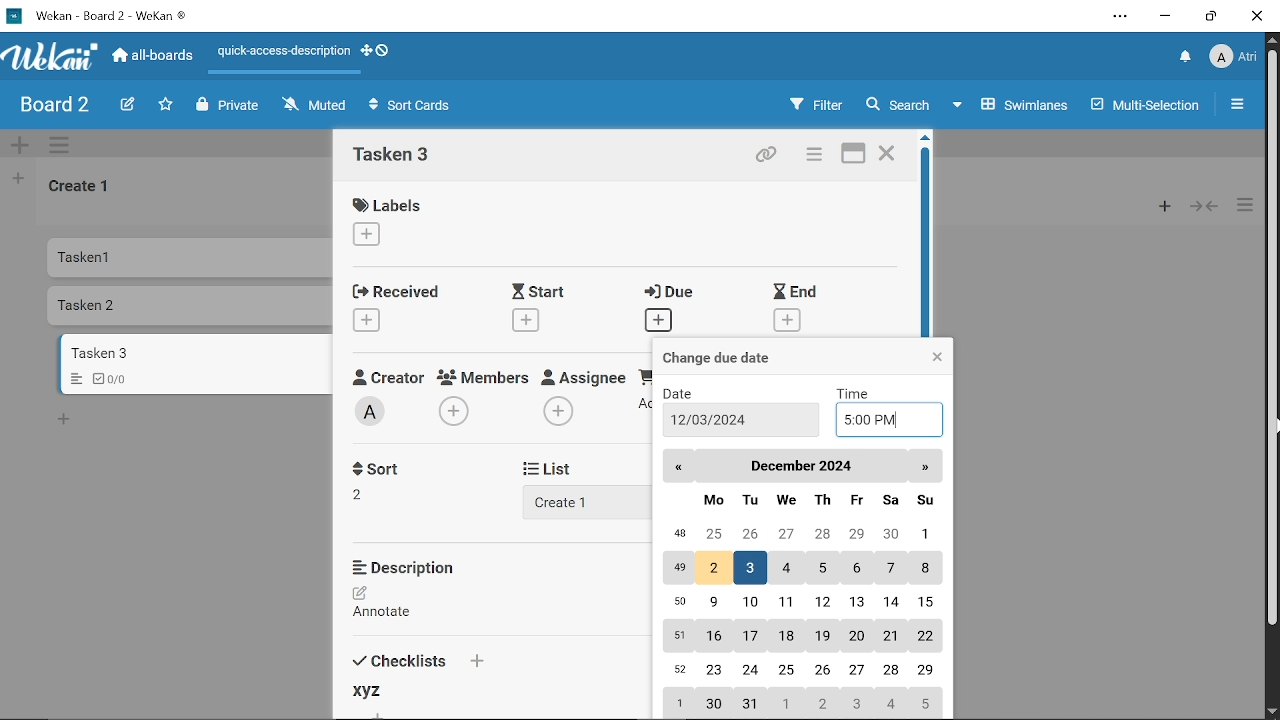 This screenshot has height=720, width=1280. Describe the element at coordinates (373, 412) in the screenshot. I see `Creator ` at that location.